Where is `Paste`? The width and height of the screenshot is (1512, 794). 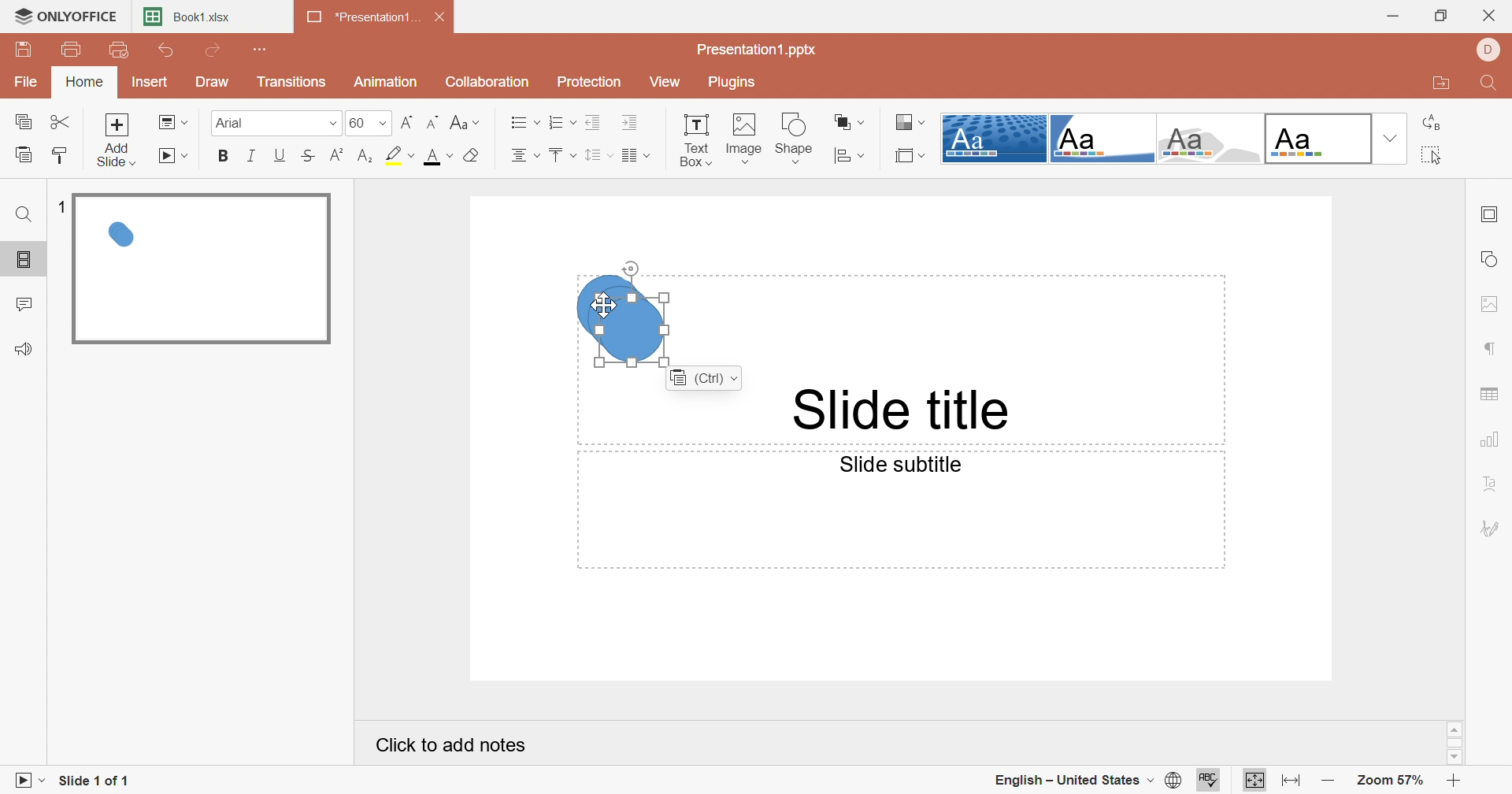 Paste is located at coordinates (24, 154).